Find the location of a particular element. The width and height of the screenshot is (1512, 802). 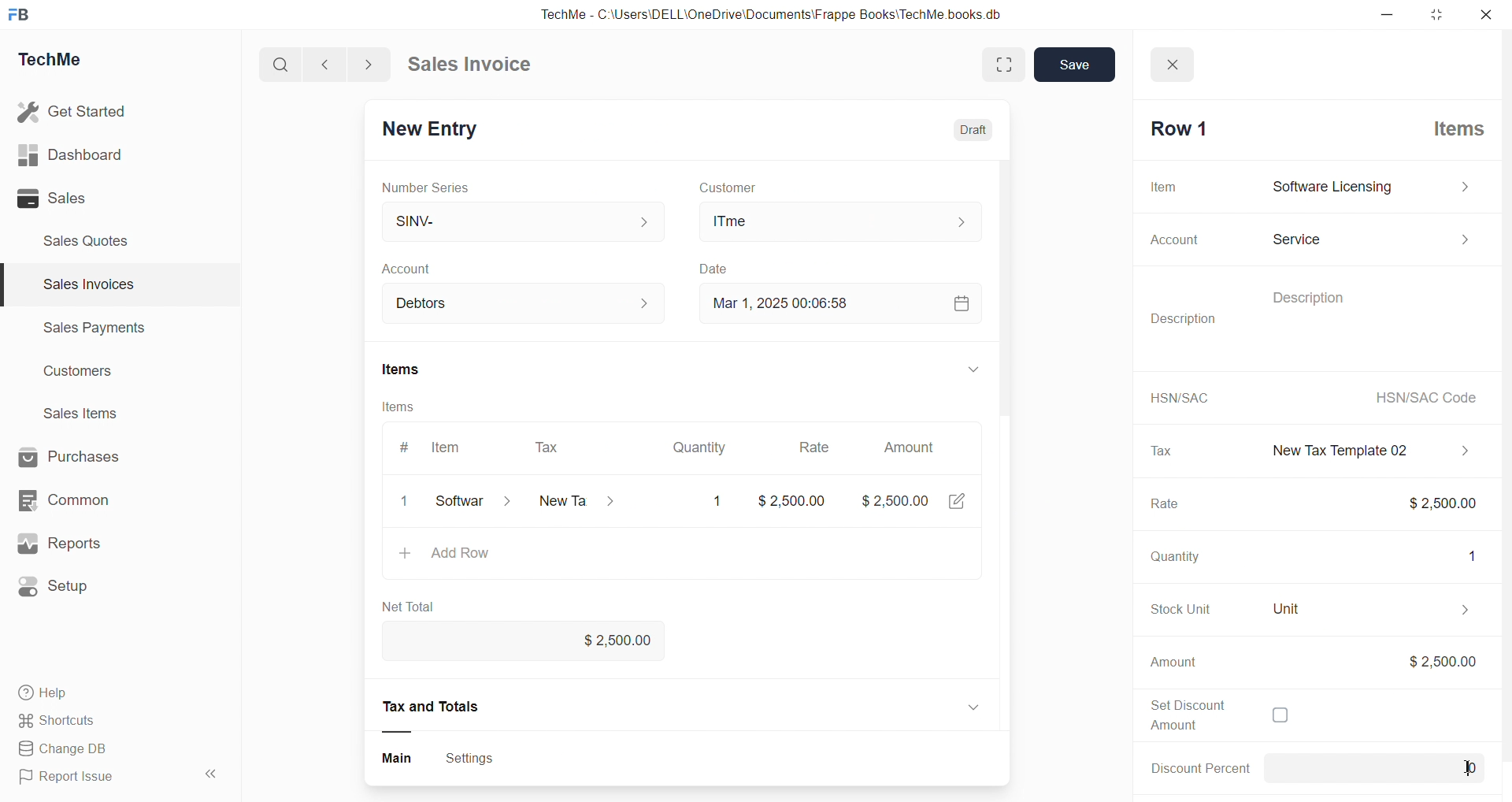

Purchases is located at coordinates (83, 455).